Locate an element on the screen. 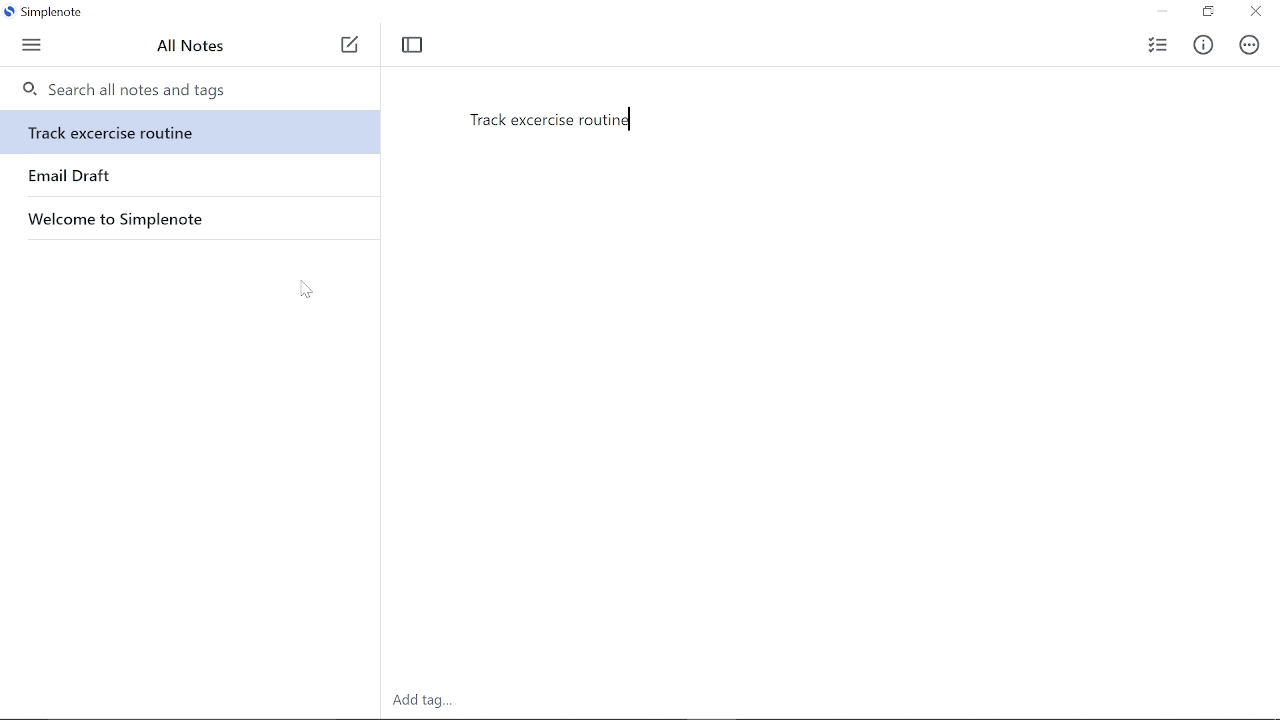  Minimize is located at coordinates (1163, 12).